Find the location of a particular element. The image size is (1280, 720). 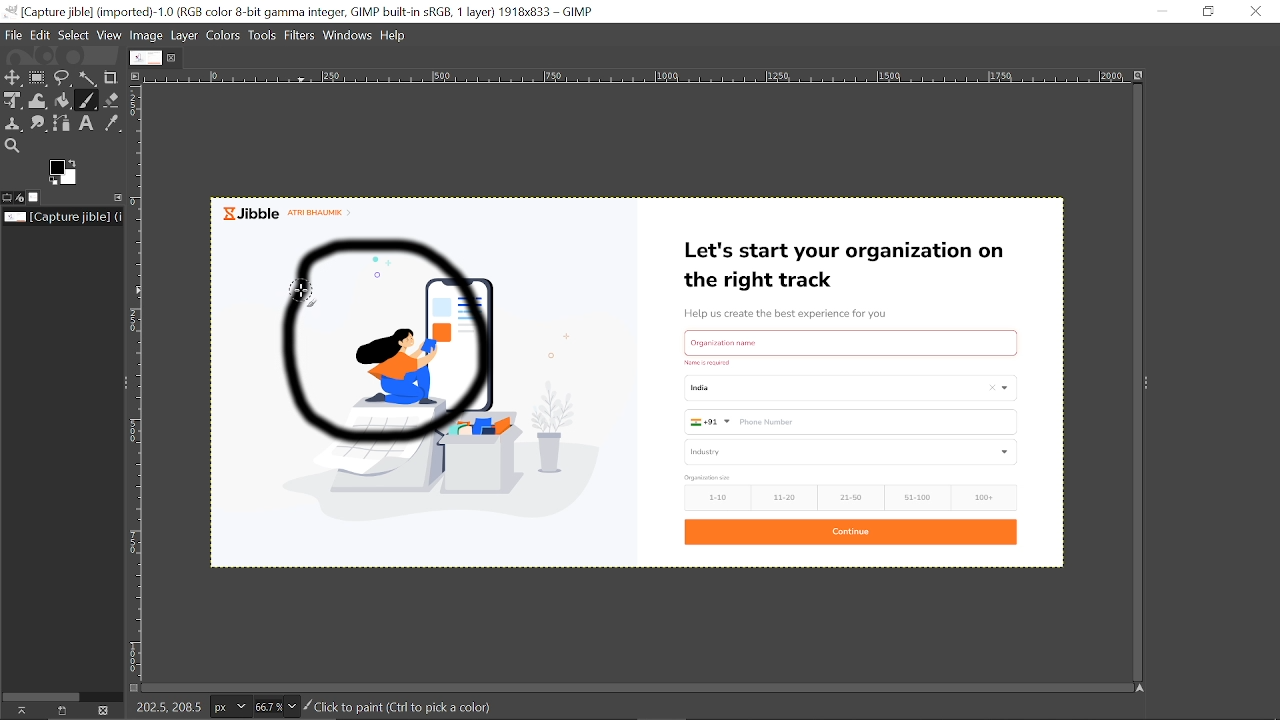

create a new display for this image is located at coordinates (59, 710).